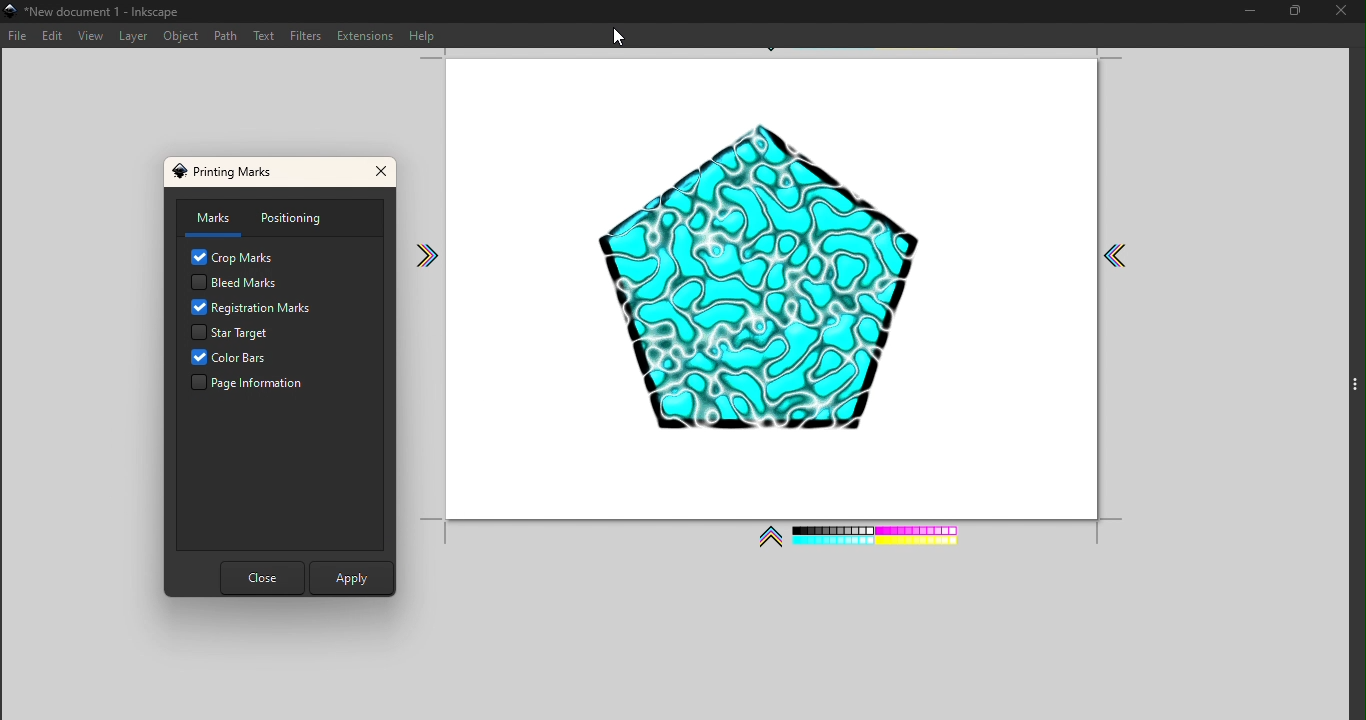 Image resolution: width=1366 pixels, height=720 pixels. Describe the element at coordinates (258, 334) in the screenshot. I see `Star Target` at that location.